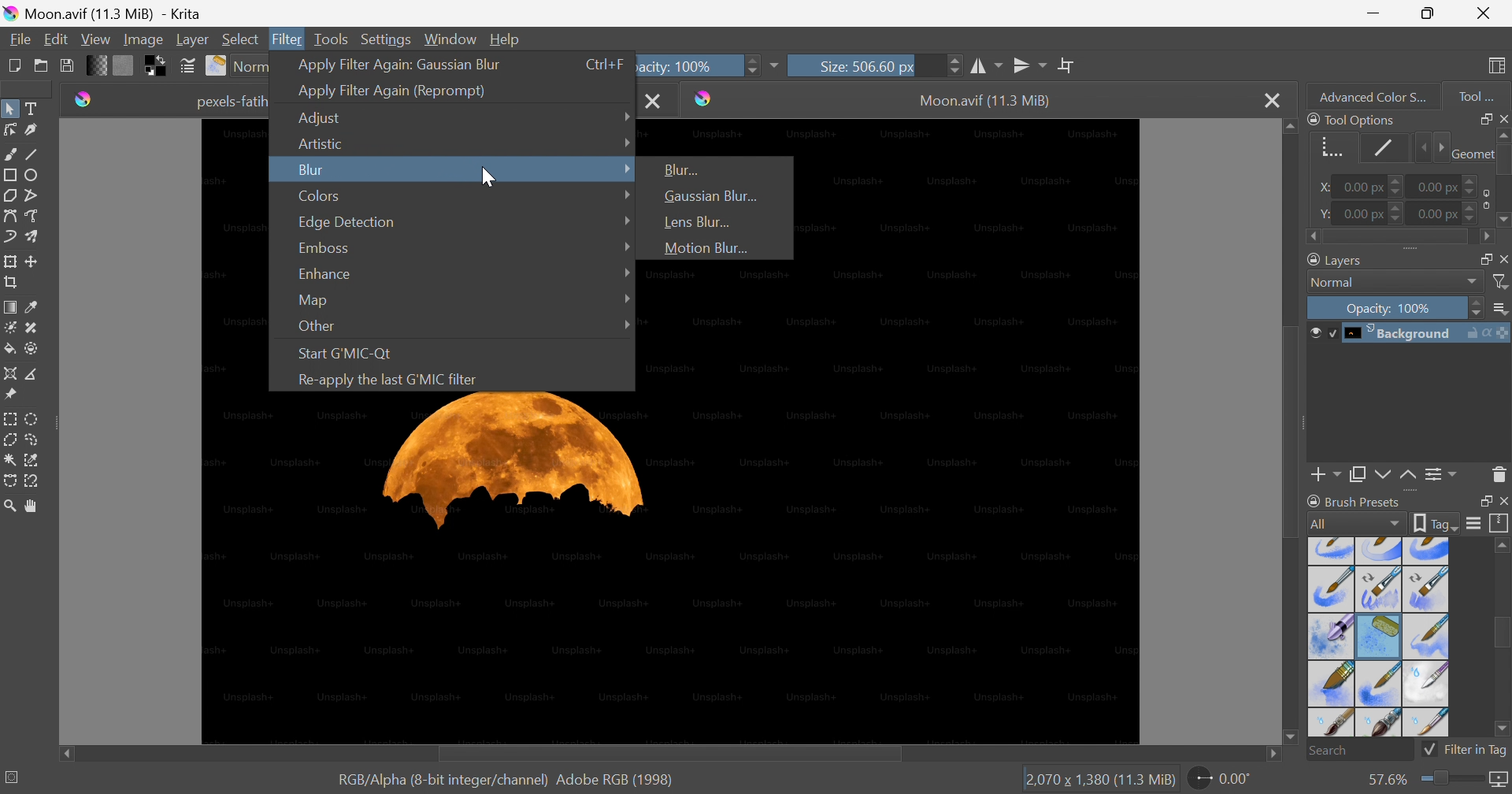 This screenshot has height=794, width=1512. Describe the element at coordinates (9, 305) in the screenshot. I see `Draw a gradient` at that location.